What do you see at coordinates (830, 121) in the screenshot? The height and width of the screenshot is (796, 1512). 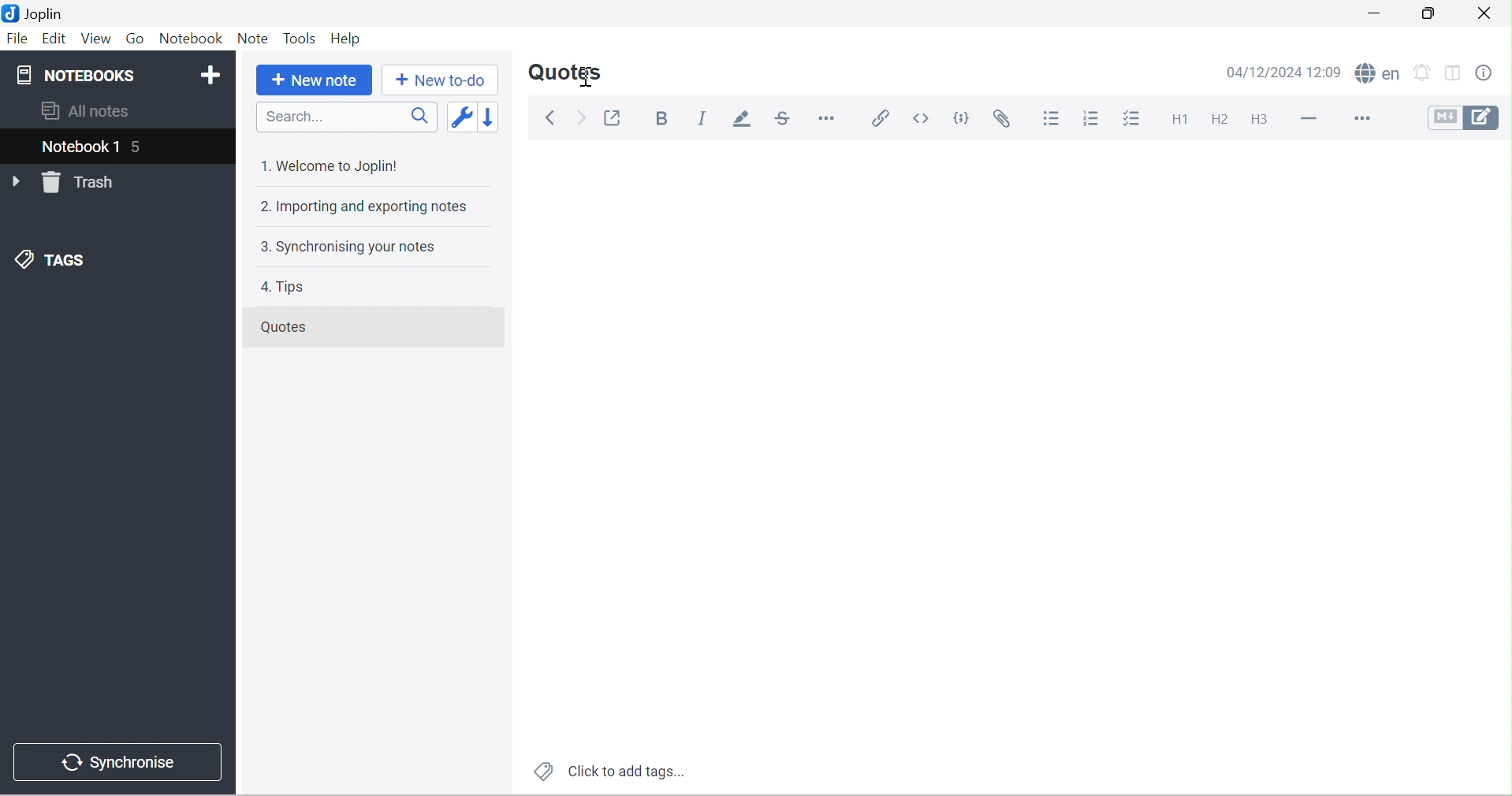 I see `Horizontal` at bounding box center [830, 121].